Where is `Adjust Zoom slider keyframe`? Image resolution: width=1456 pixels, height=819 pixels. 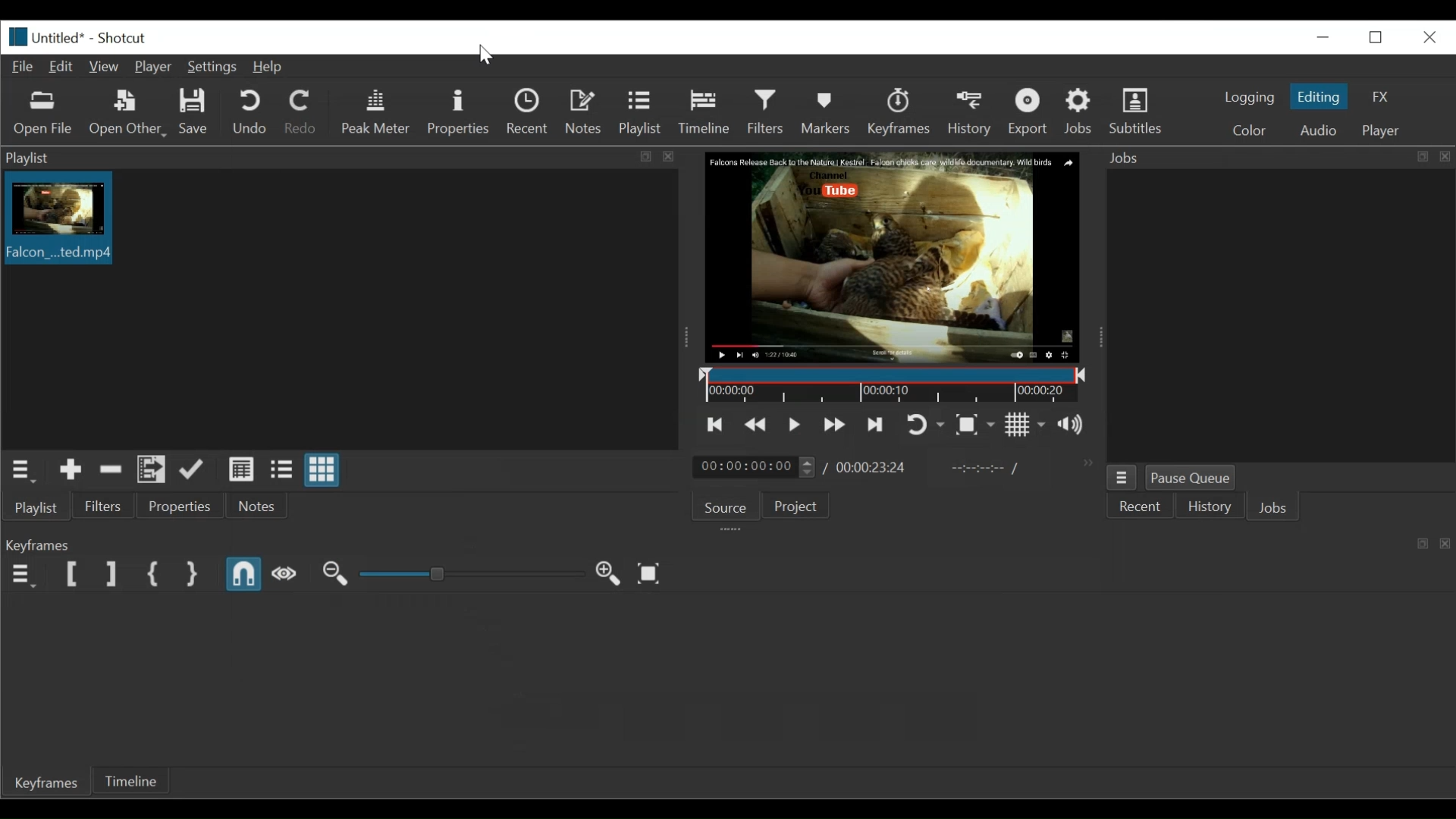
Adjust Zoom slider keyframe is located at coordinates (474, 576).